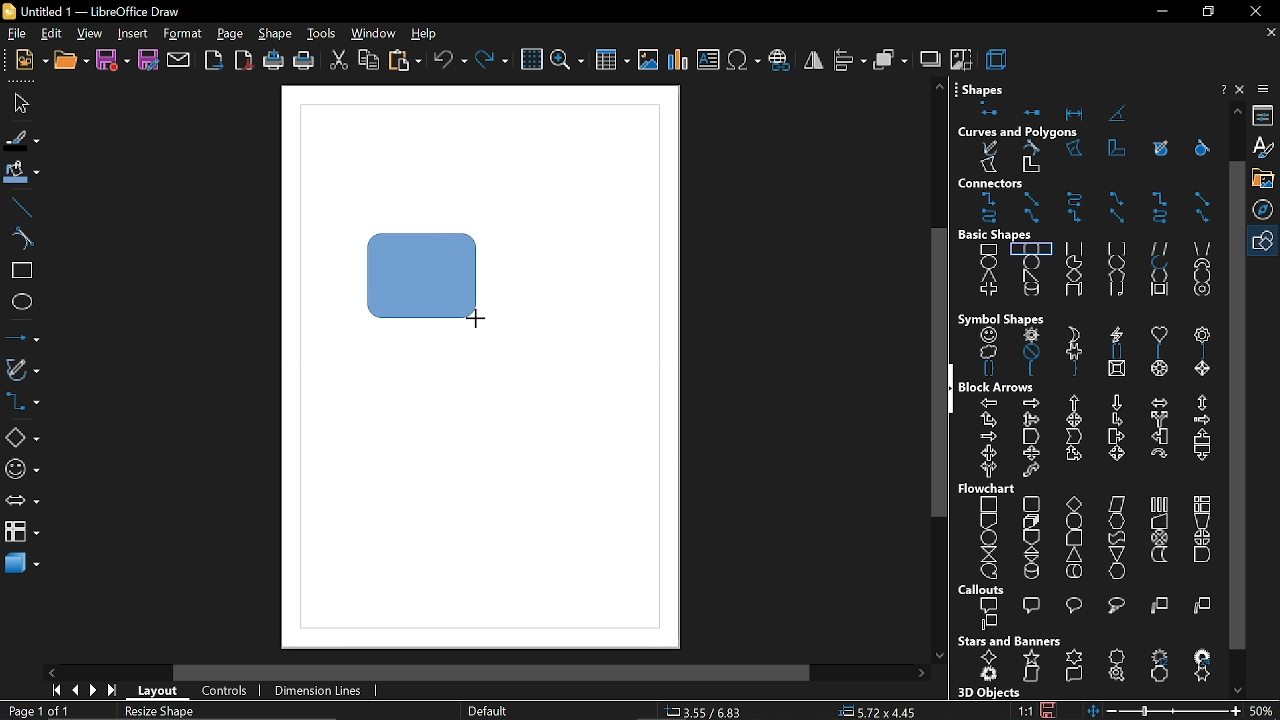 The width and height of the screenshot is (1280, 720). What do you see at coordinates (272, 61) in the screenshot?
I see `print directly` at bounding box center [272, 61].